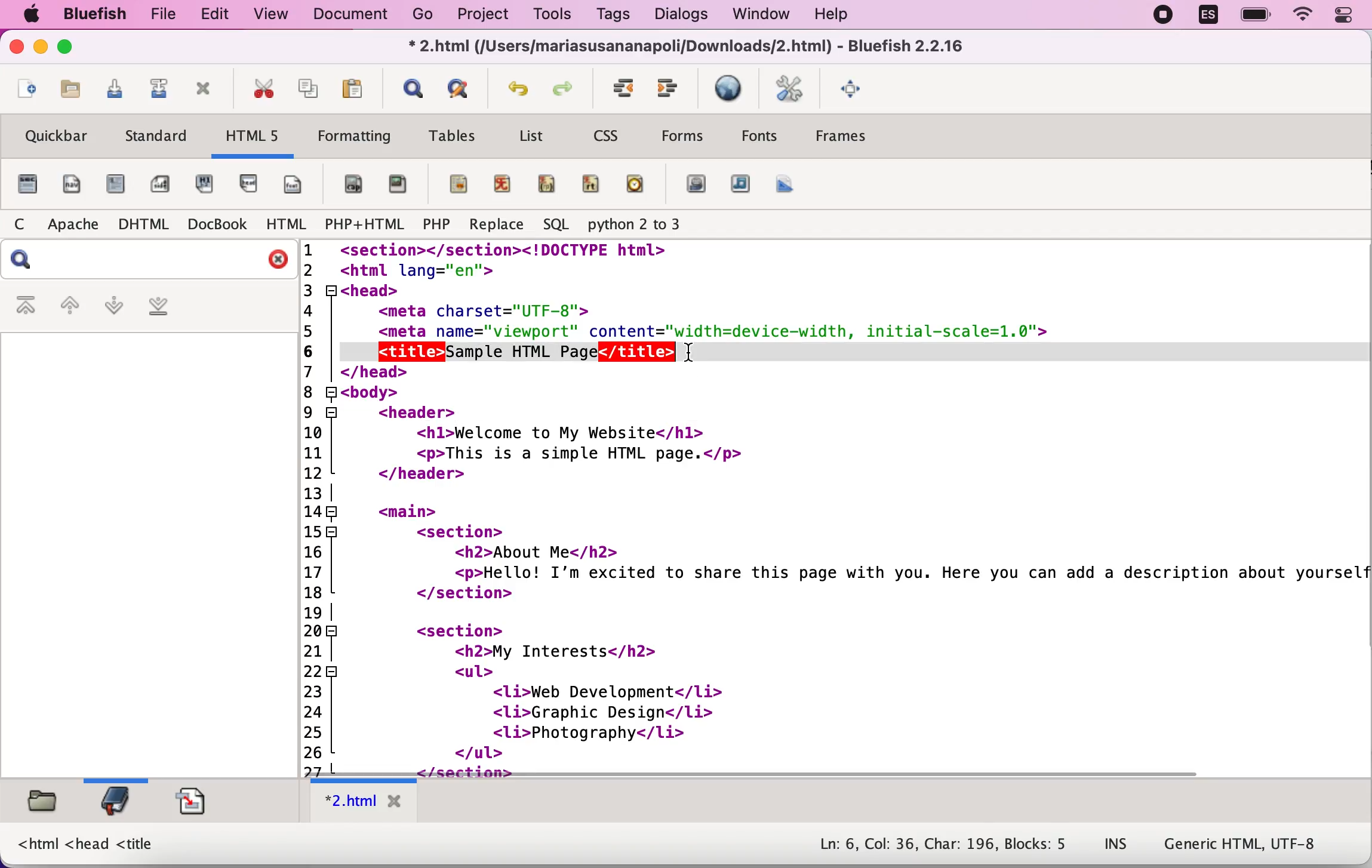 The width and height of the screenshot is (1372, 868). What do you see at coordinates (1210, 14) in the screenshot?
I see `language` at bounding box center [1210, 14].